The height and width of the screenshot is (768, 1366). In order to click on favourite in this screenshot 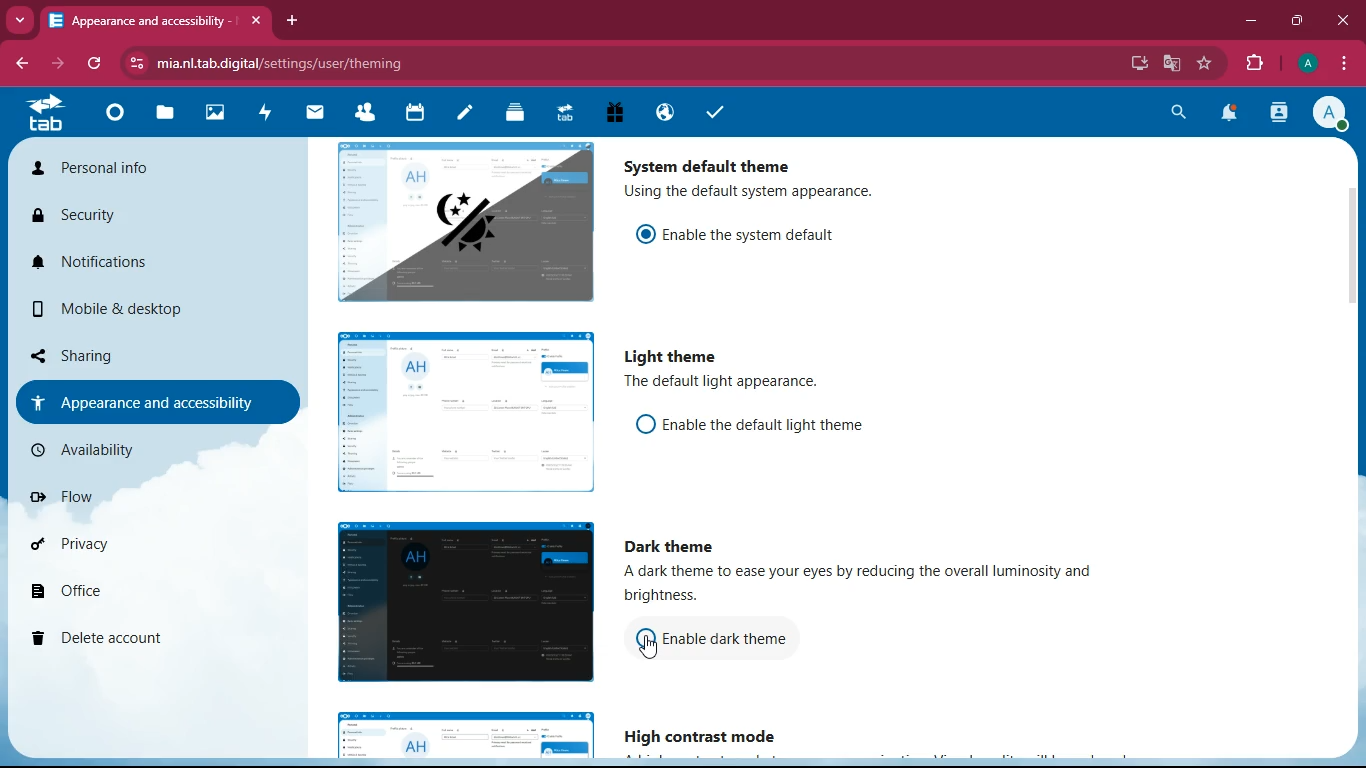, I will do `click(1207, 64)`.